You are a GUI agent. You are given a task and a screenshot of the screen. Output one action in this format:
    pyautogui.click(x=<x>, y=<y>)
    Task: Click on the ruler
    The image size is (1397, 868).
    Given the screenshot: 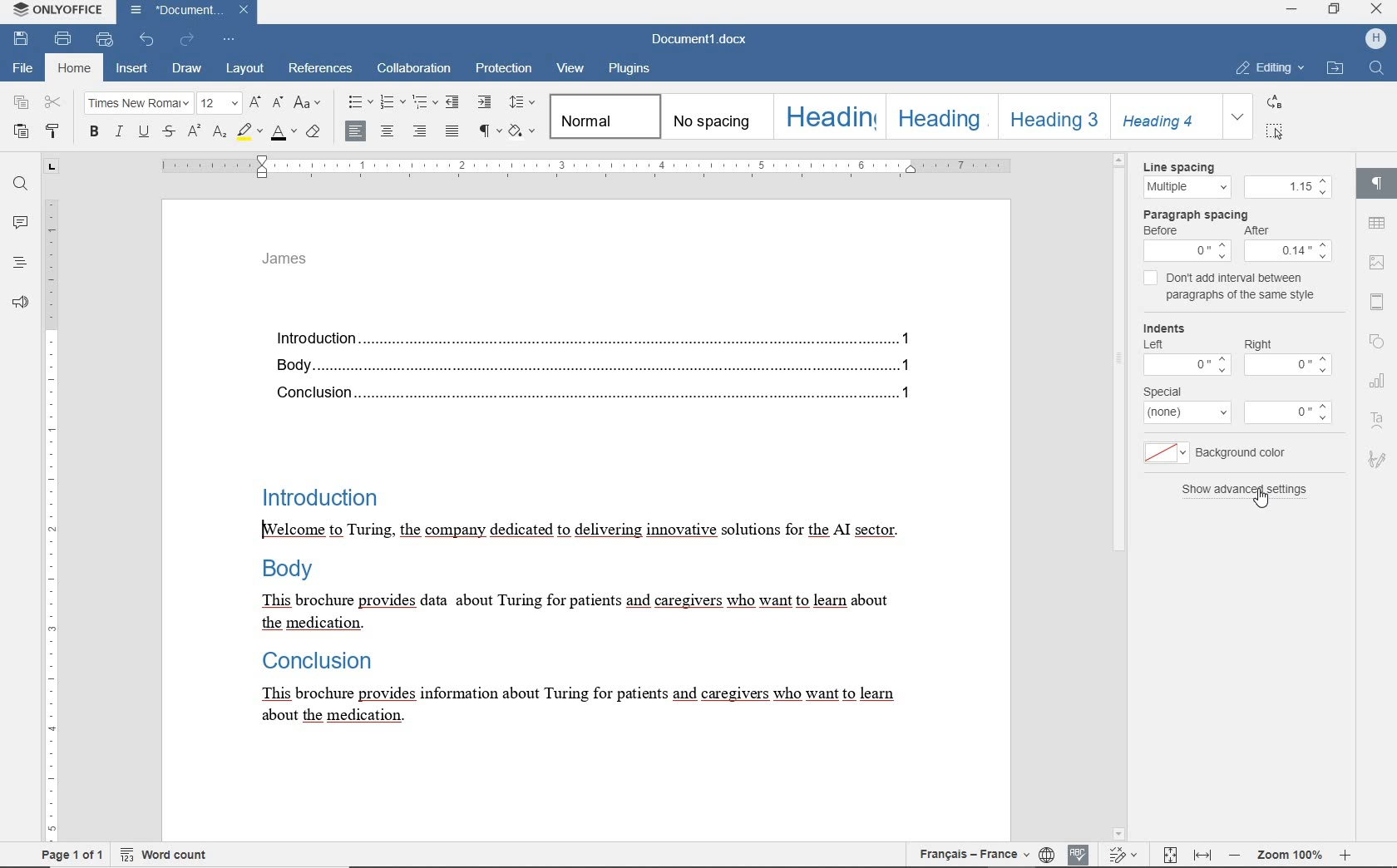 What is the action you would take?
    pyautogui.click(x=51, y=499)
    